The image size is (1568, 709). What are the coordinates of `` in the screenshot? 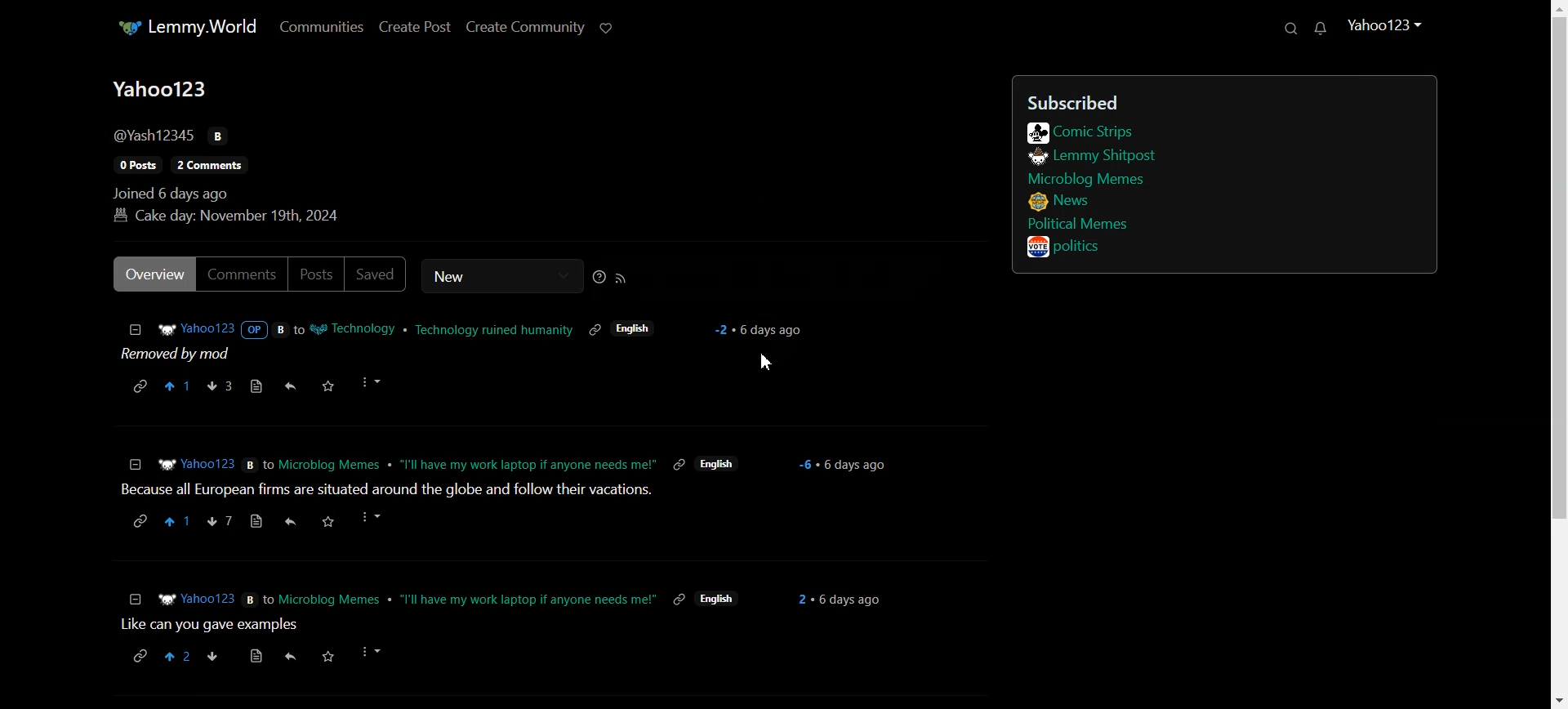 It's located at (259, 518).